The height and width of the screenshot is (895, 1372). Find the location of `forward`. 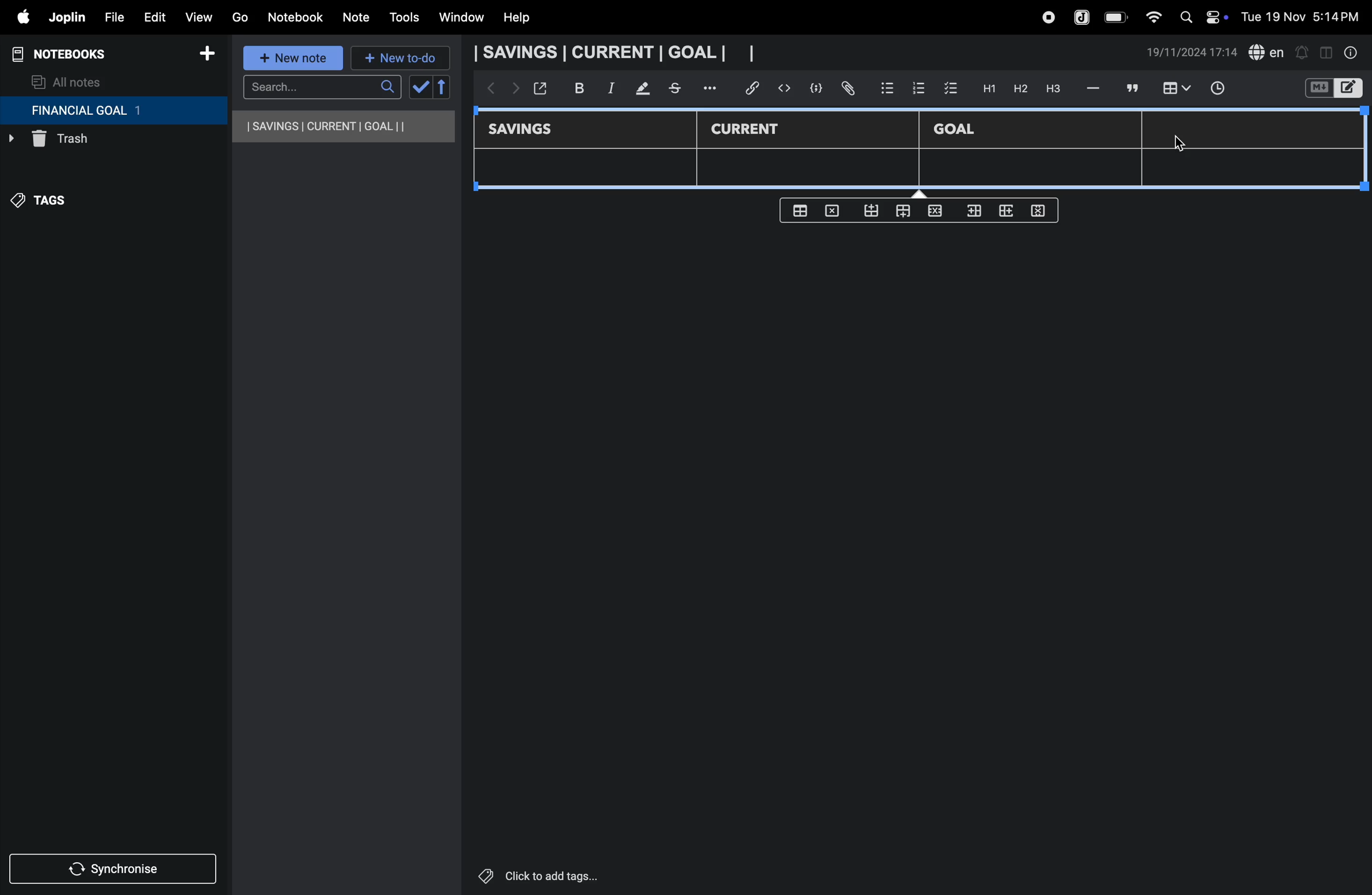

forward is located at coordinates (512, 91).